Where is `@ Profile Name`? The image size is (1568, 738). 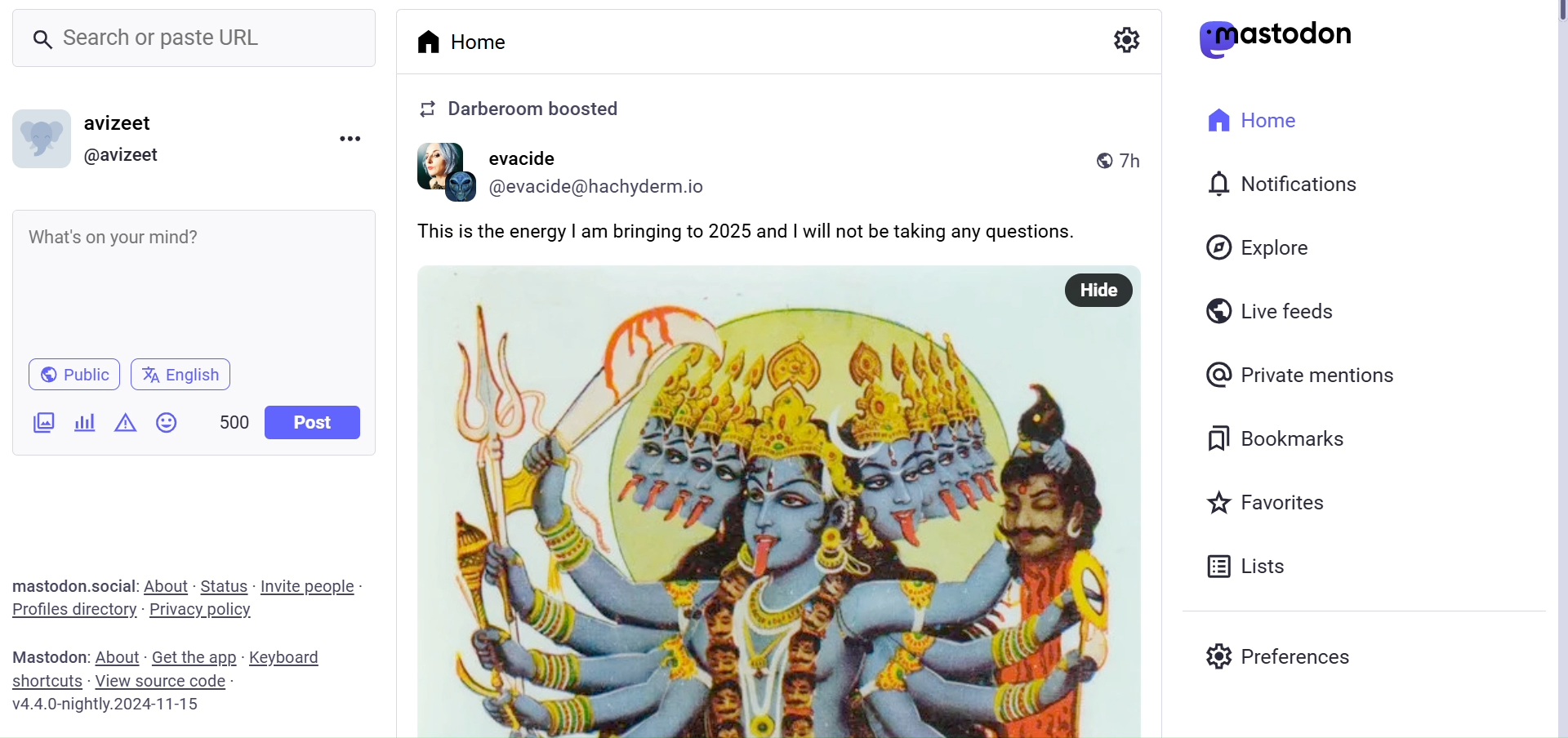
@ Profile Name is located at coordinates (126, 156).